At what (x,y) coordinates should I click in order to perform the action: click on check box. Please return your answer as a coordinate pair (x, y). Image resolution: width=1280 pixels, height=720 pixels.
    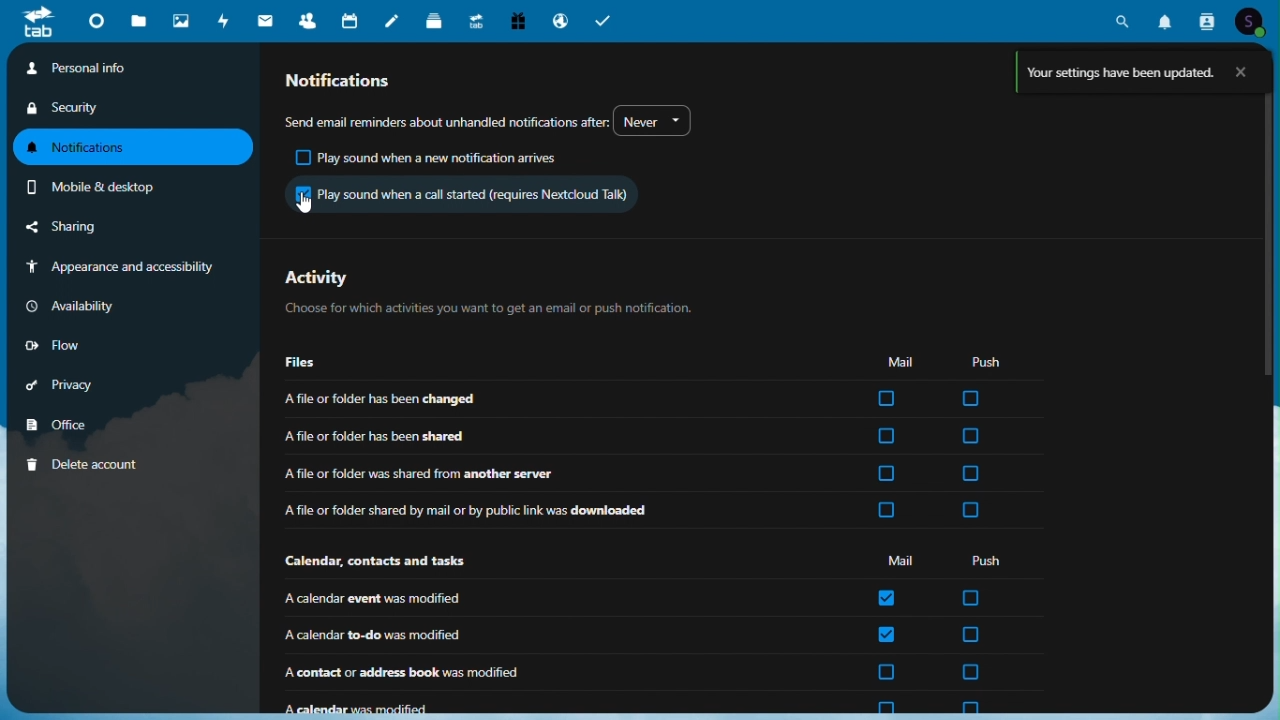
    Looking at the image, I should click on (969, 399).